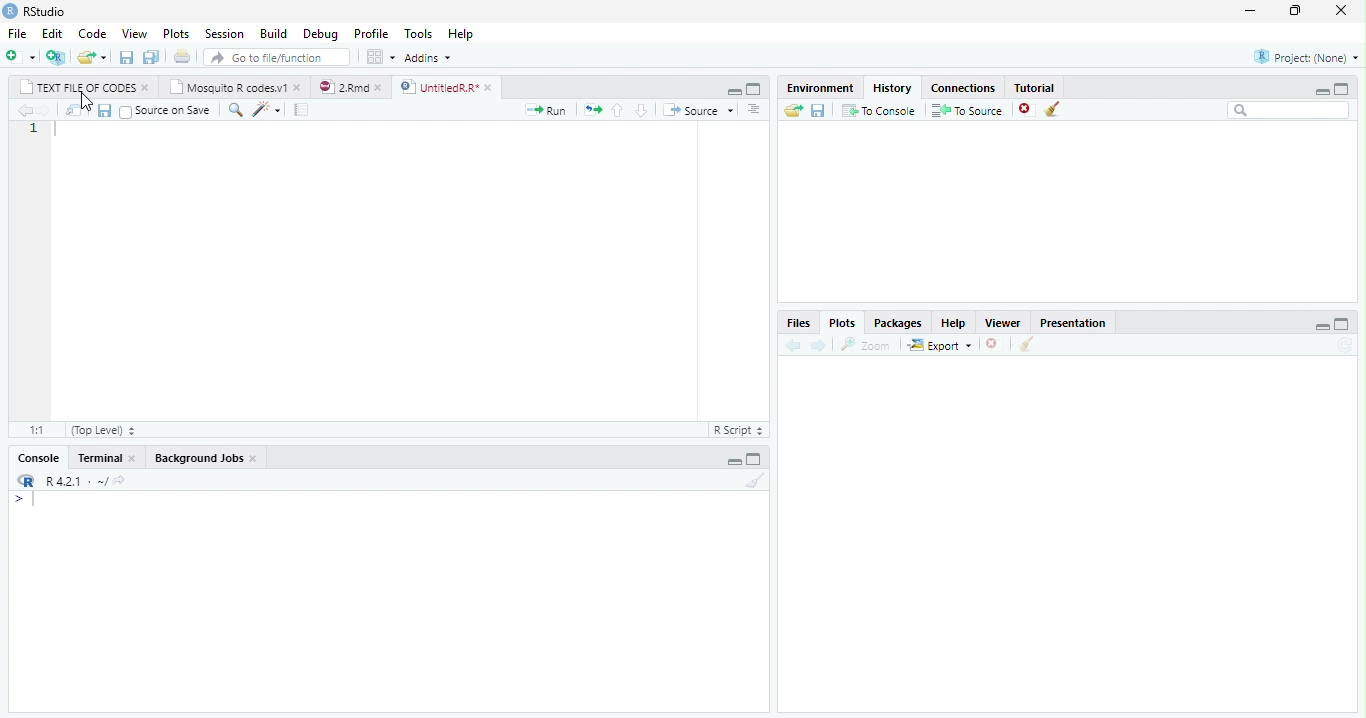 The height and width of the screenshot is (718, 1366). Describe the element at coordinates (817, 110) in the screenshot. I see `save history ` at that location.